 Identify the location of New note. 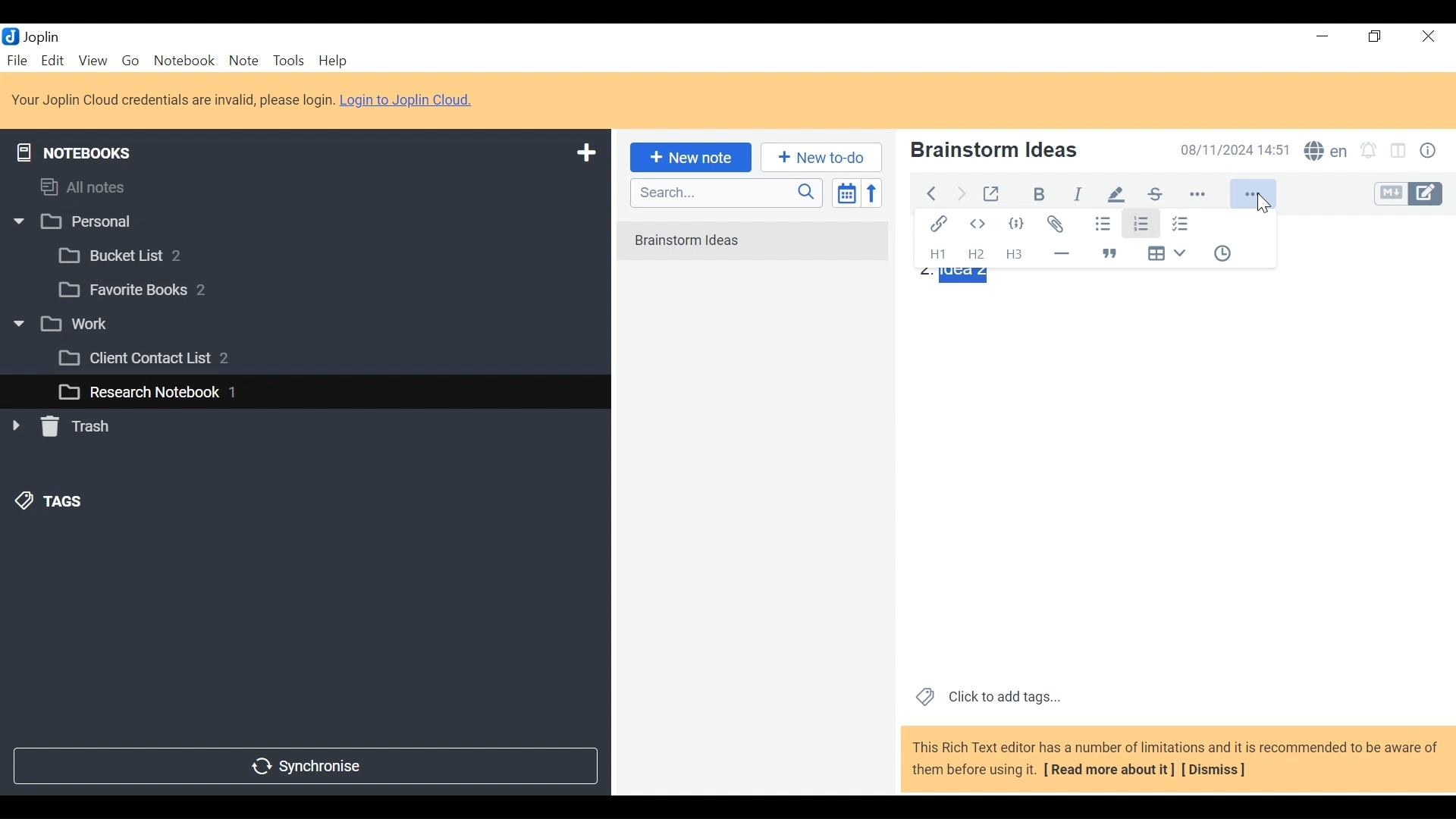
(688, 156).